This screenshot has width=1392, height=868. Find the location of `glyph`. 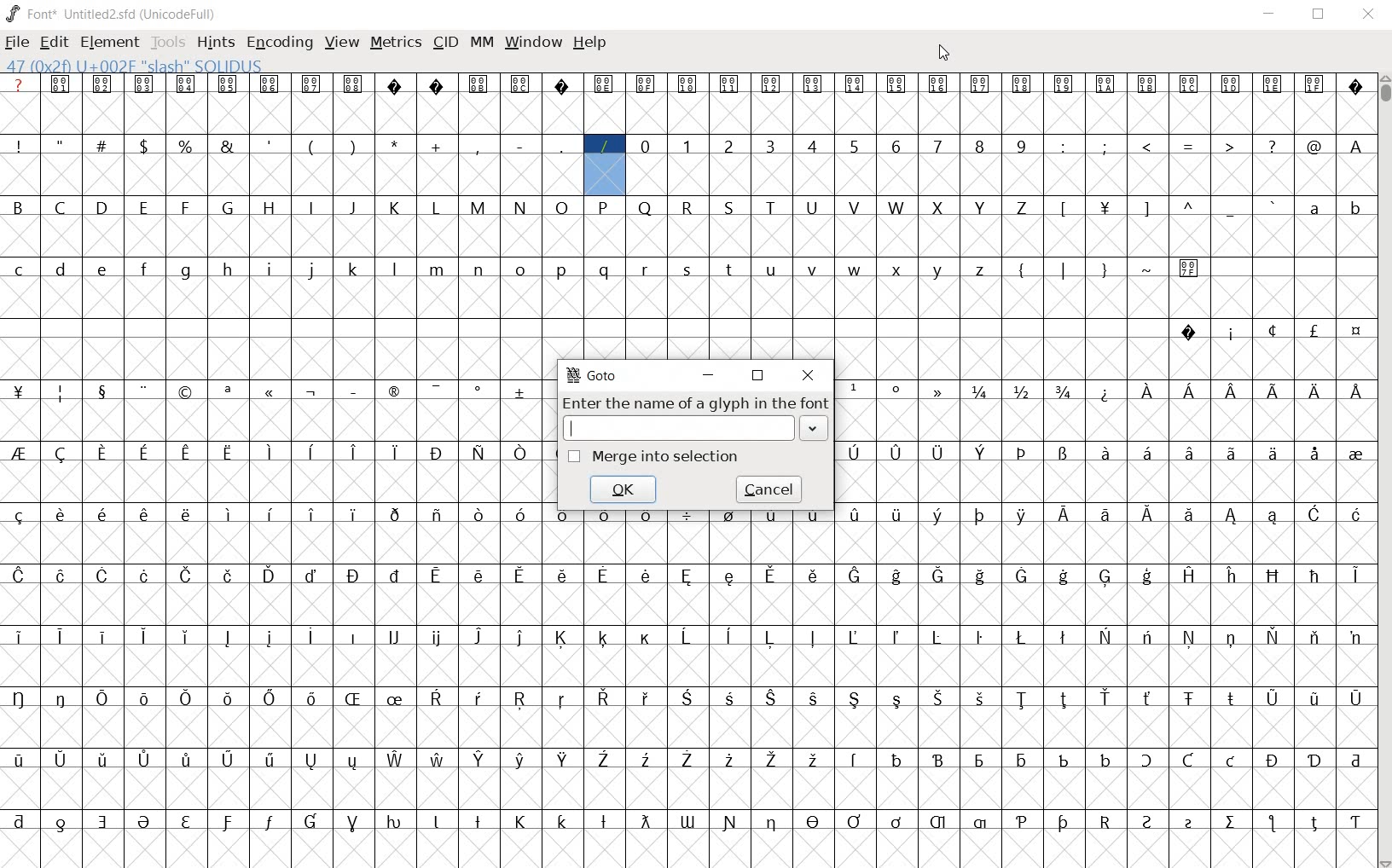

glyph is located at coordinates (603, 84).